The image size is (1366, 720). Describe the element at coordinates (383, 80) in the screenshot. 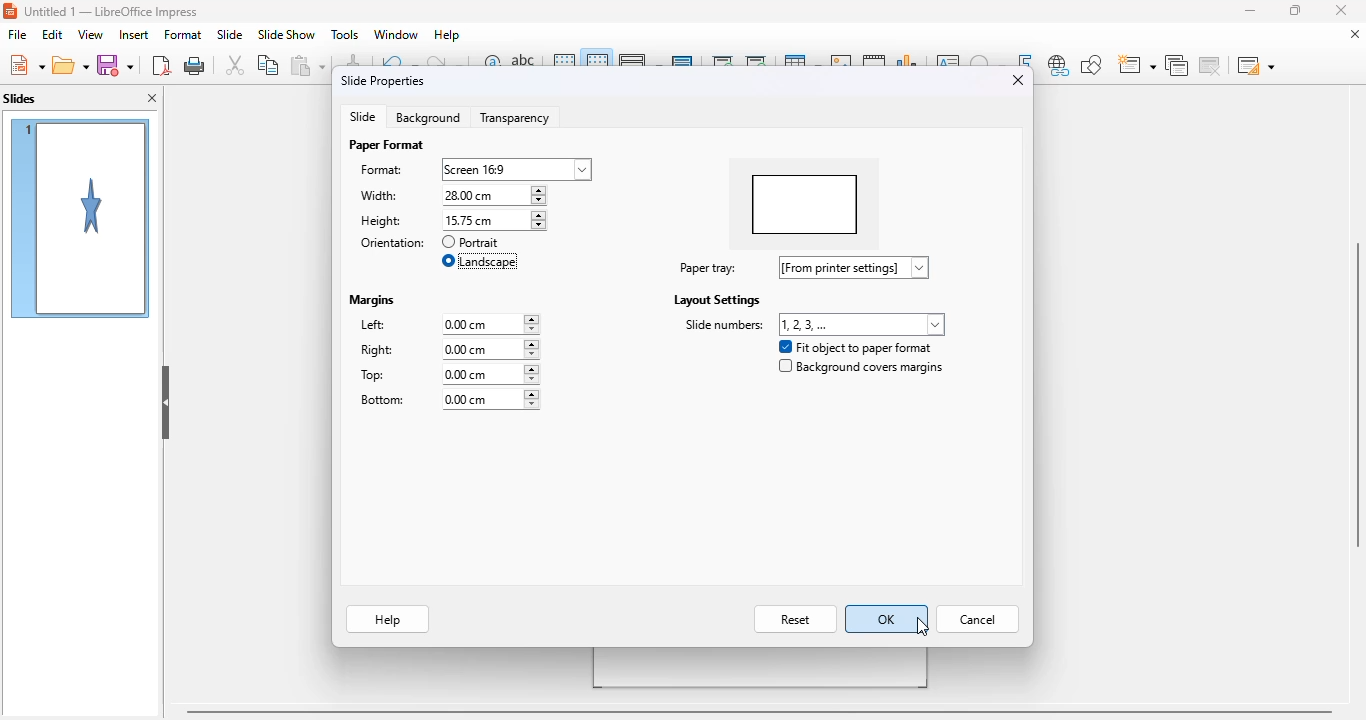

I see `slide properties` at that location.